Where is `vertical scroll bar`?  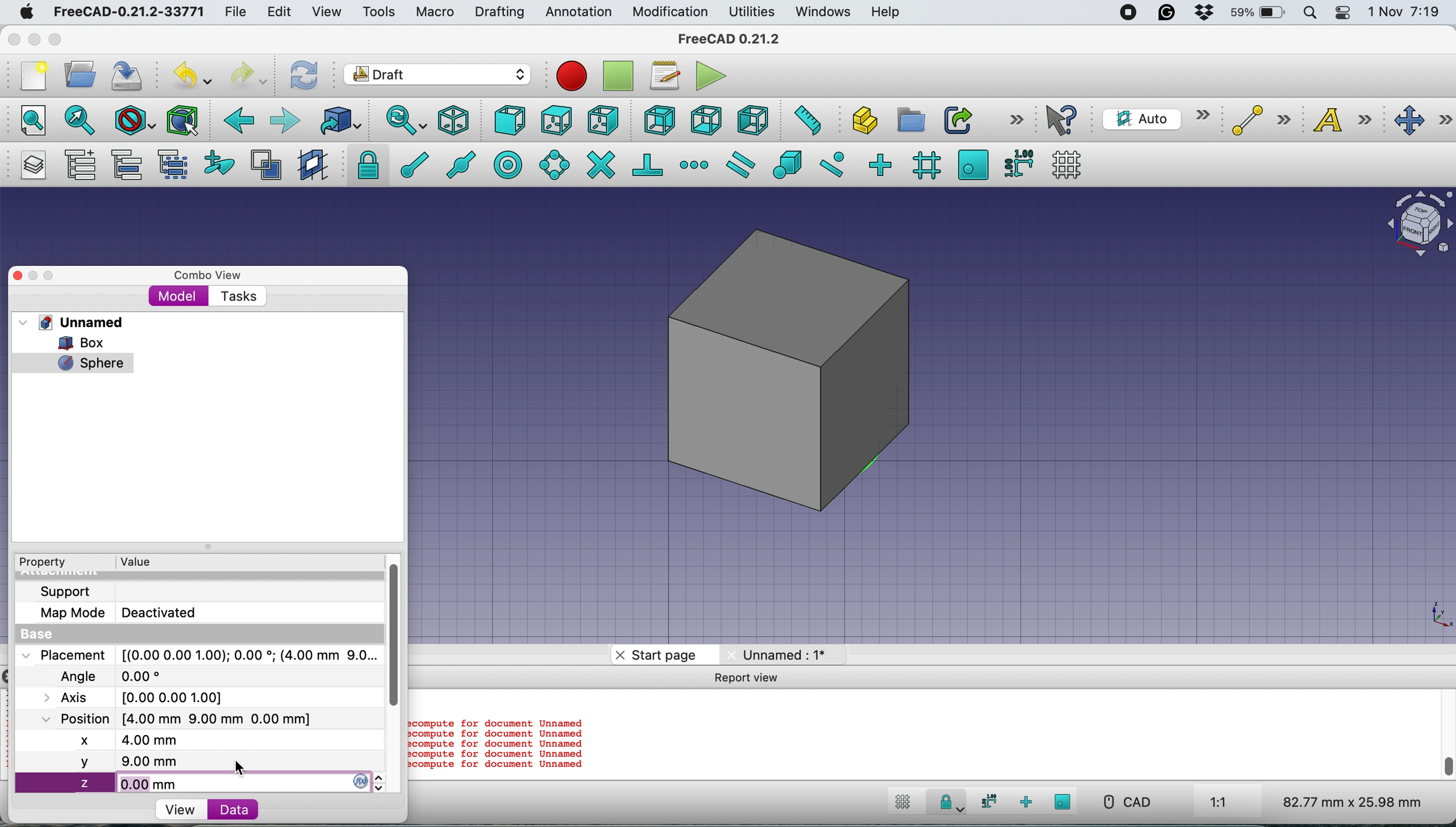 vertical scroll bar is located at coordinates (403, 637).